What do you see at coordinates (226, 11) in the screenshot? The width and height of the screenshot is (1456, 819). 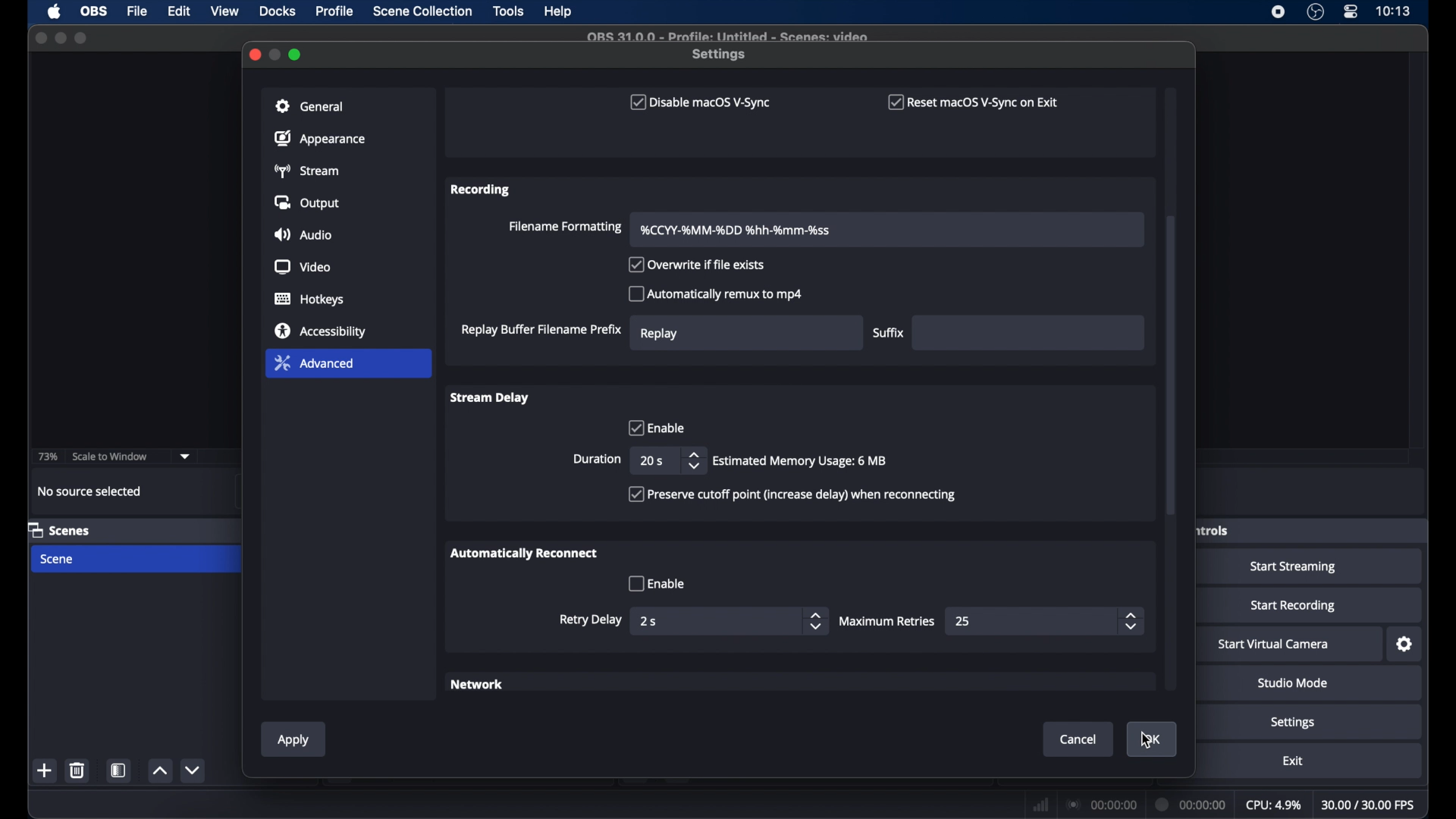 I see `view` at bounding box center [226, 11].